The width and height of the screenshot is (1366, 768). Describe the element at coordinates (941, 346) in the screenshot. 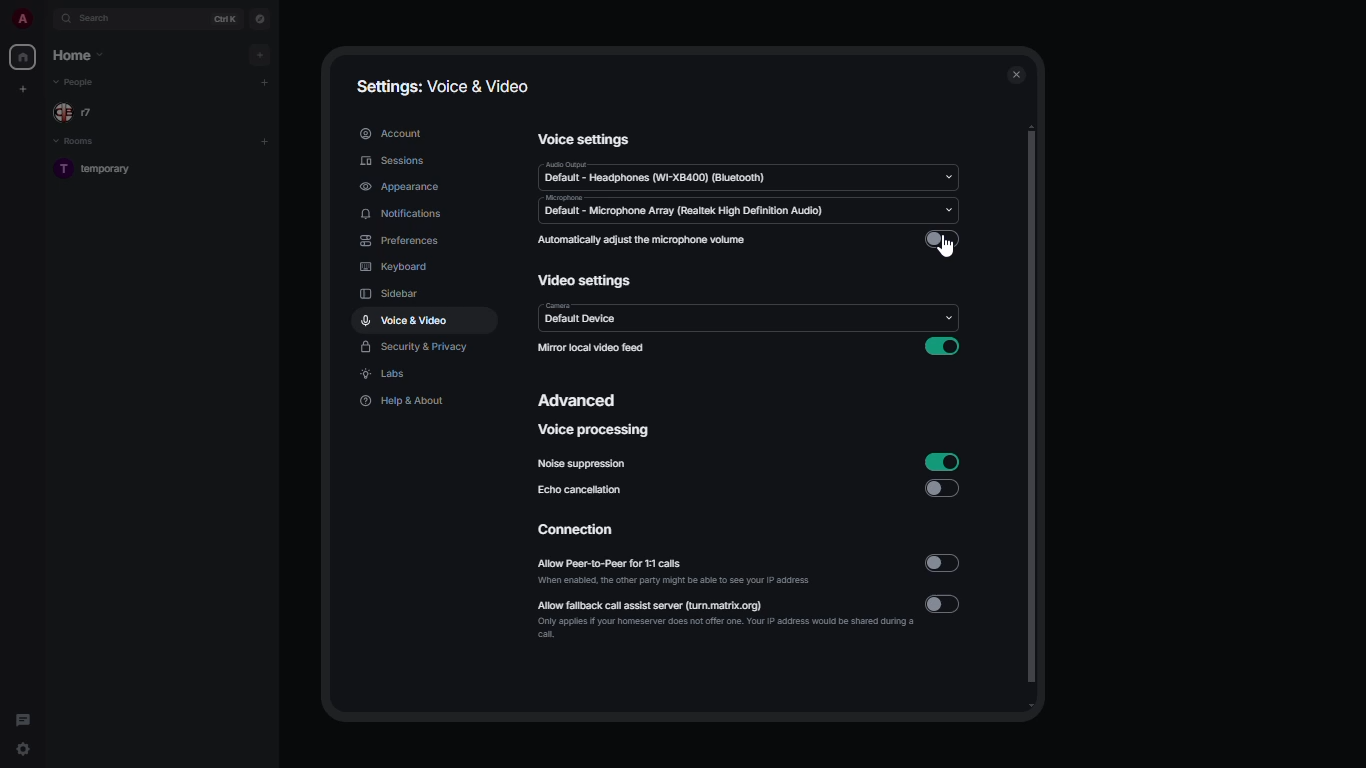

I see `enabled` at that location.